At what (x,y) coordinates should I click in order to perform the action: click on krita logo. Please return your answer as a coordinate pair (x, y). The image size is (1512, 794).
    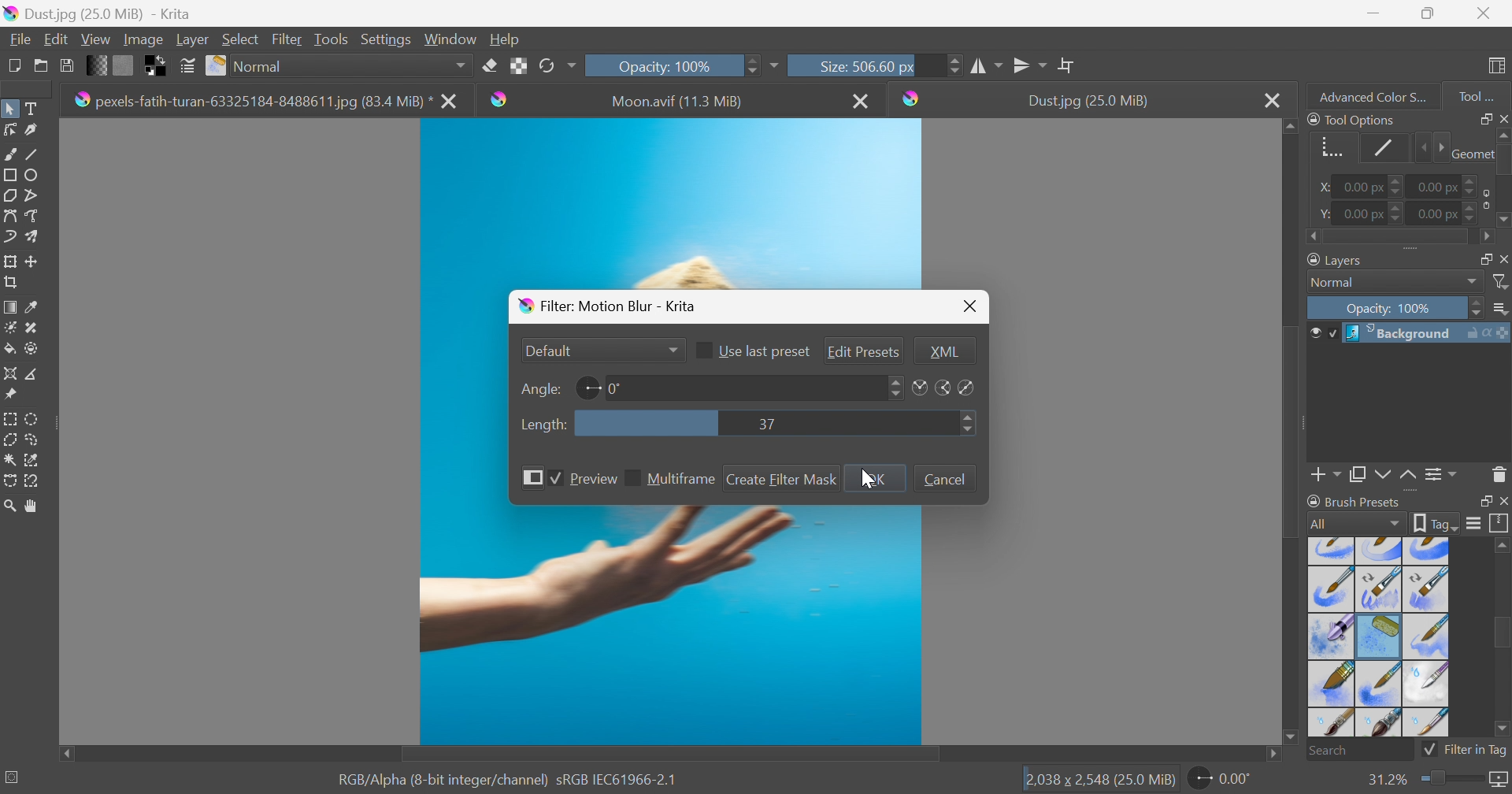
    Looking at the image, I should click on (500, 99).